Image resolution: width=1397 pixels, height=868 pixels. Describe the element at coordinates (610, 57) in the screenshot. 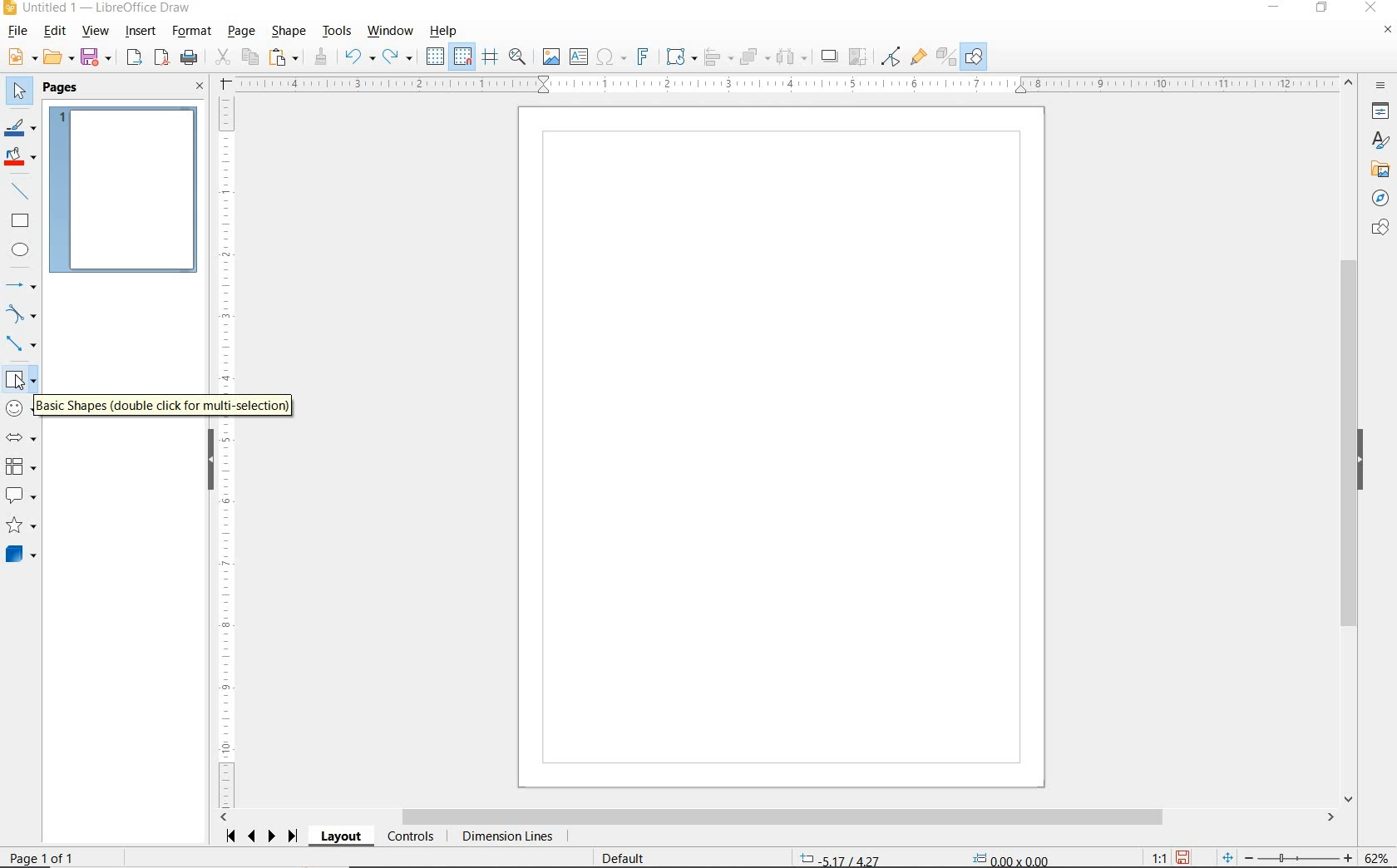

I see `INSERT SPECIAL CHARACTERS` at that location.